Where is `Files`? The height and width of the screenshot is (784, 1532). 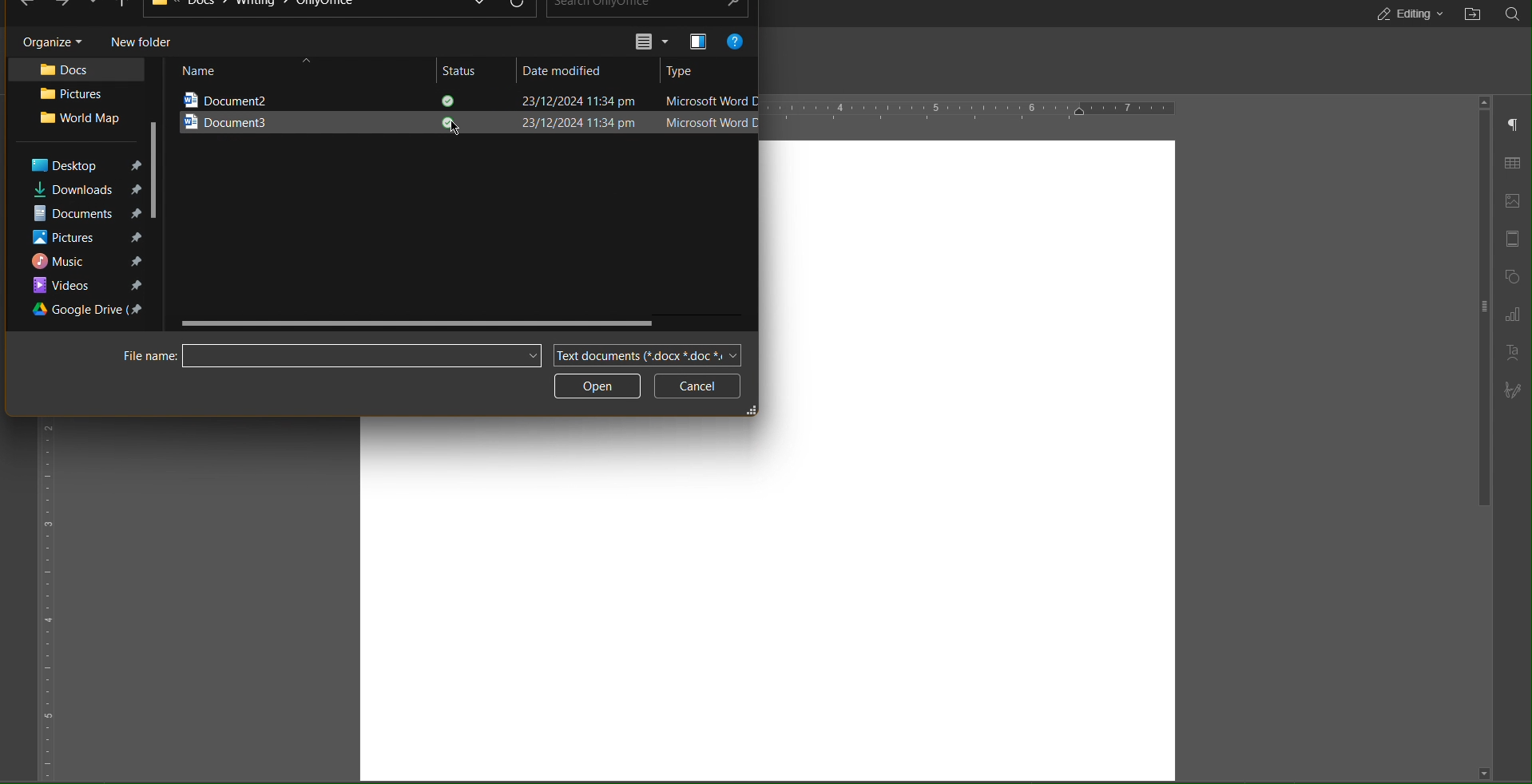
Files is located at coordinates (276, 6).